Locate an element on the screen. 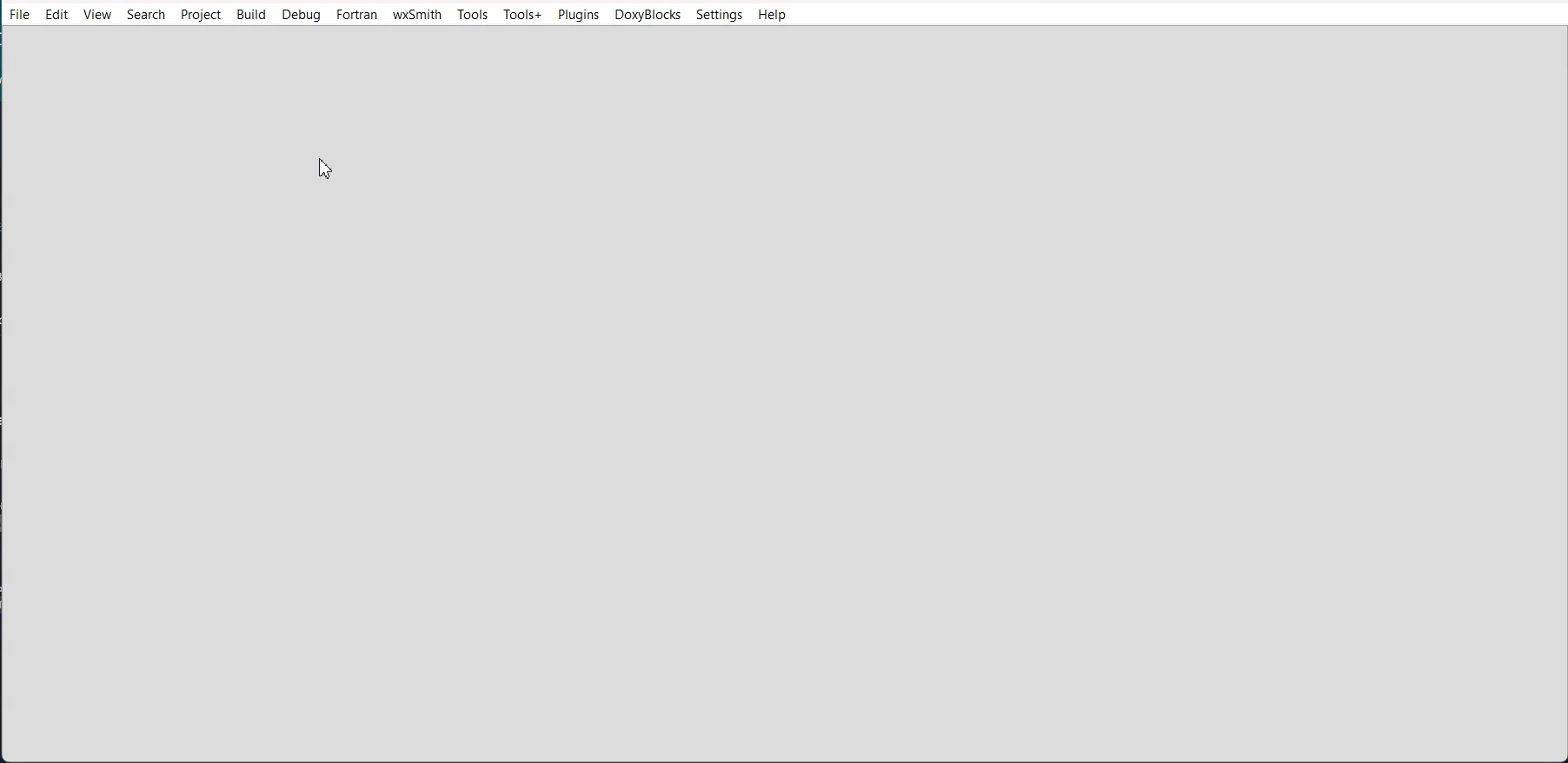  View is located at coordinates (100, 14).